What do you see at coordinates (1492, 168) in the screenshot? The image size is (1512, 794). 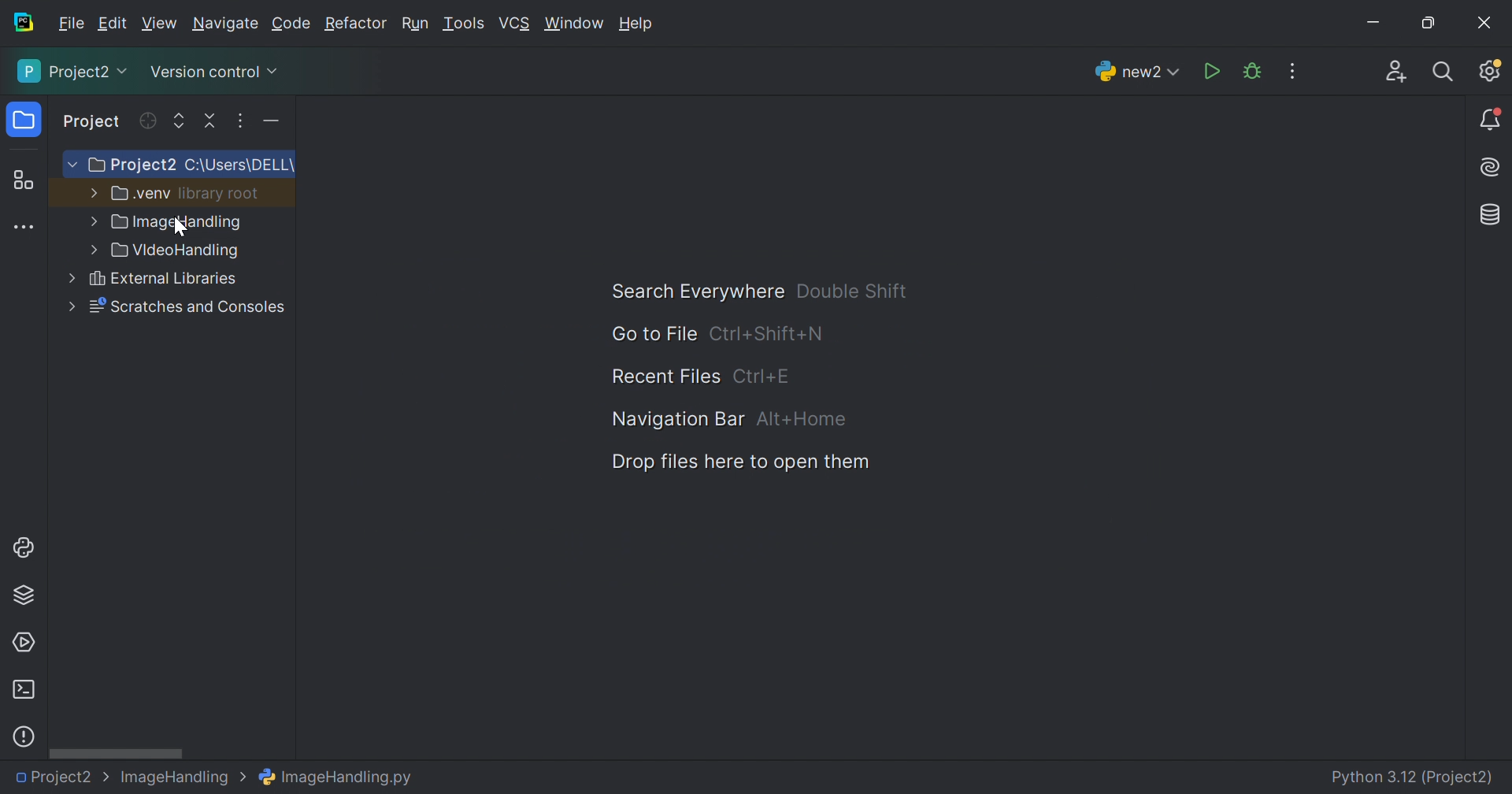 I see `AI Assistant` at bounding box center [1492, 168].